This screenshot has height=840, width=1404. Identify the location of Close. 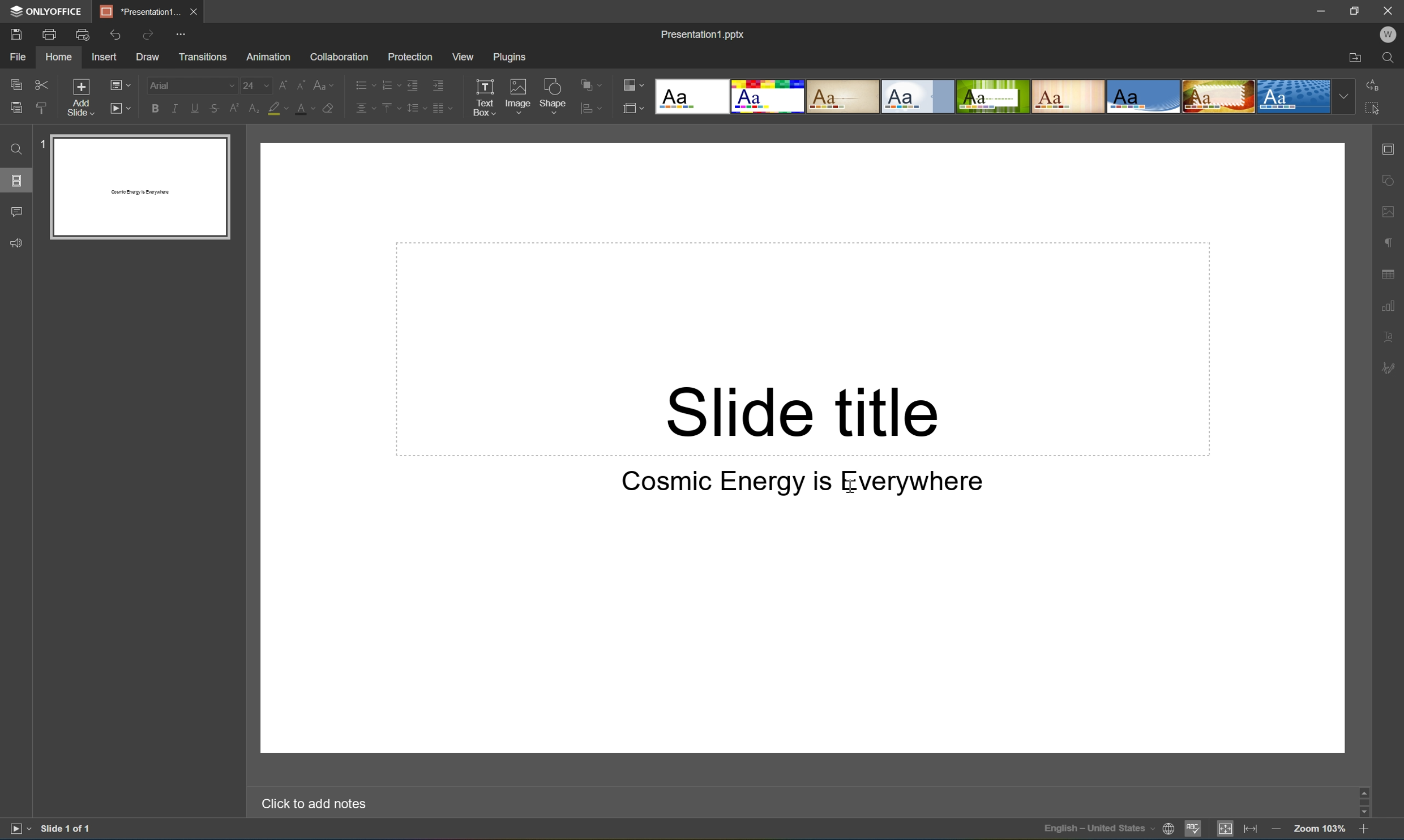
(1389, 11).